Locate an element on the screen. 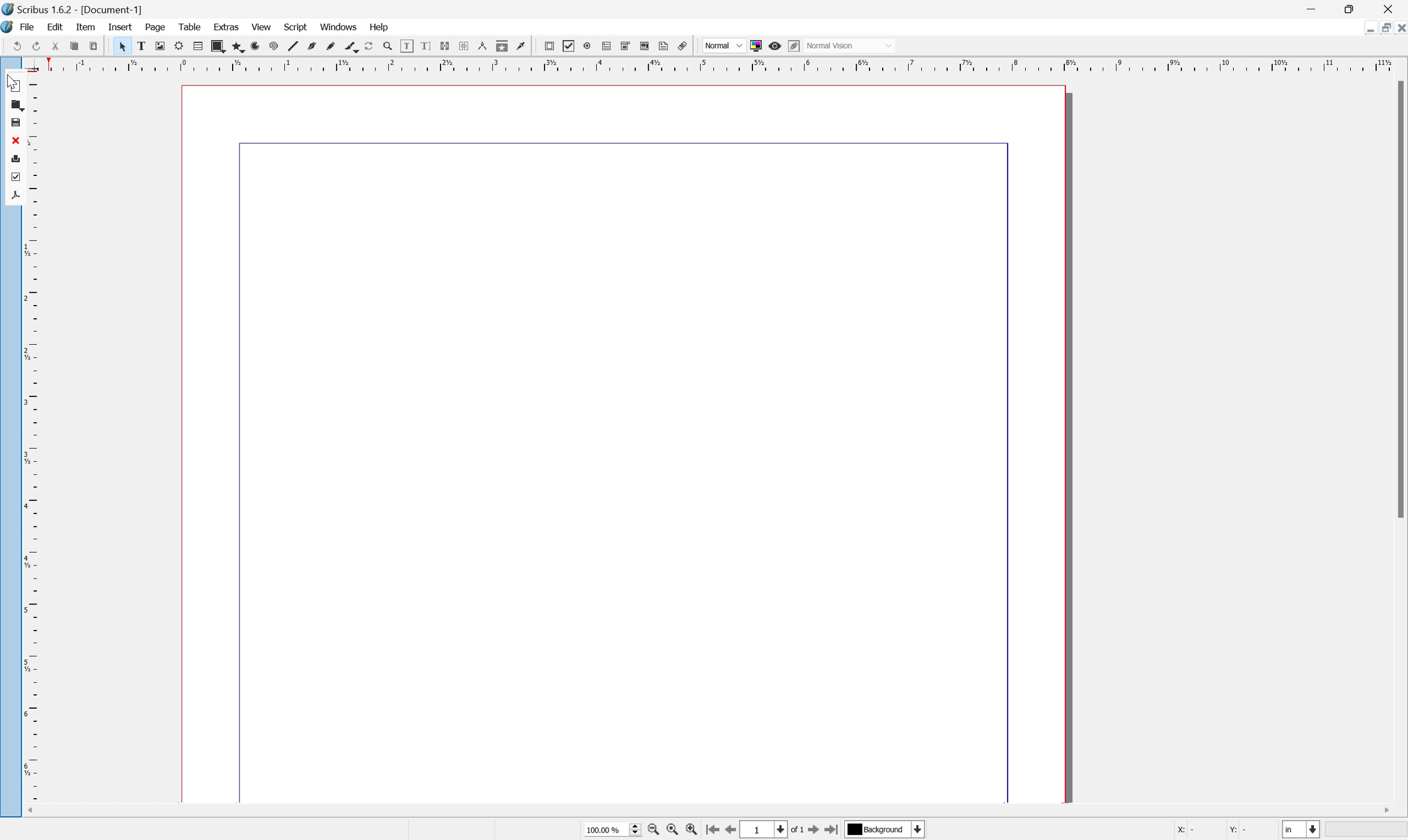  zoom to 100% is located at coordinates (670, 831).